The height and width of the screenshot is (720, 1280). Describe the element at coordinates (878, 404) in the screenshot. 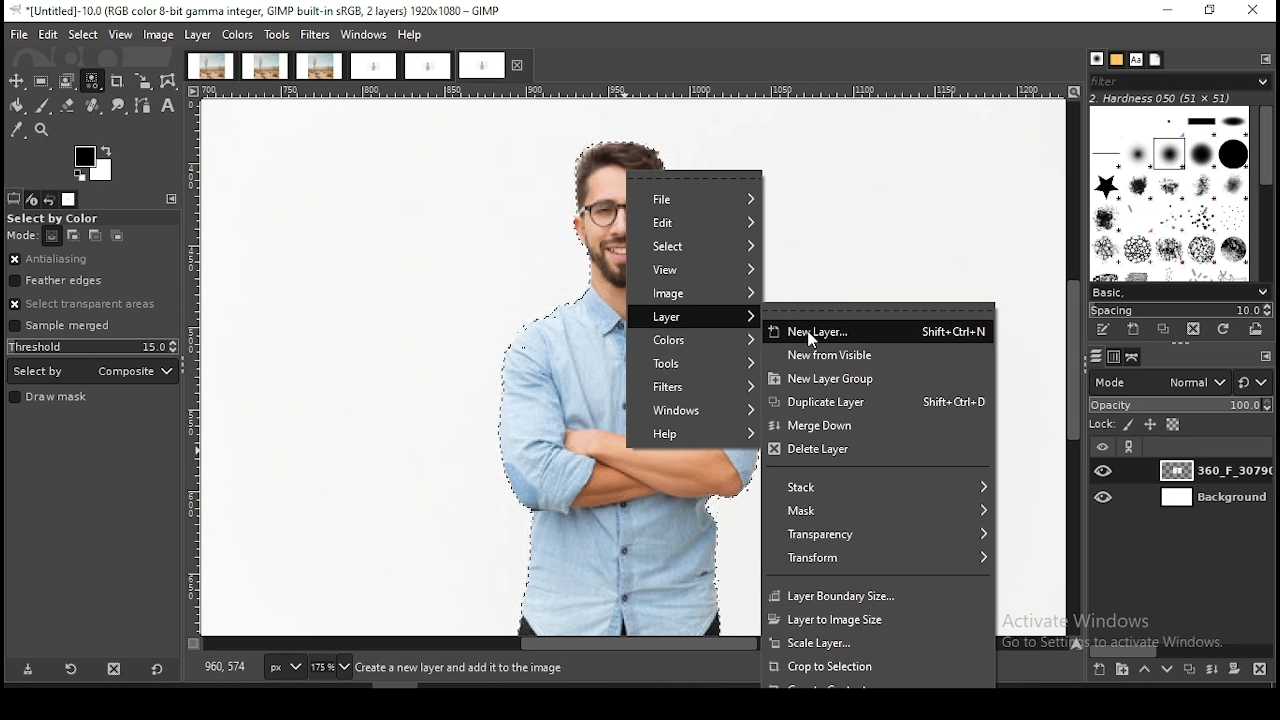

I see `duplicate layer` at that location.